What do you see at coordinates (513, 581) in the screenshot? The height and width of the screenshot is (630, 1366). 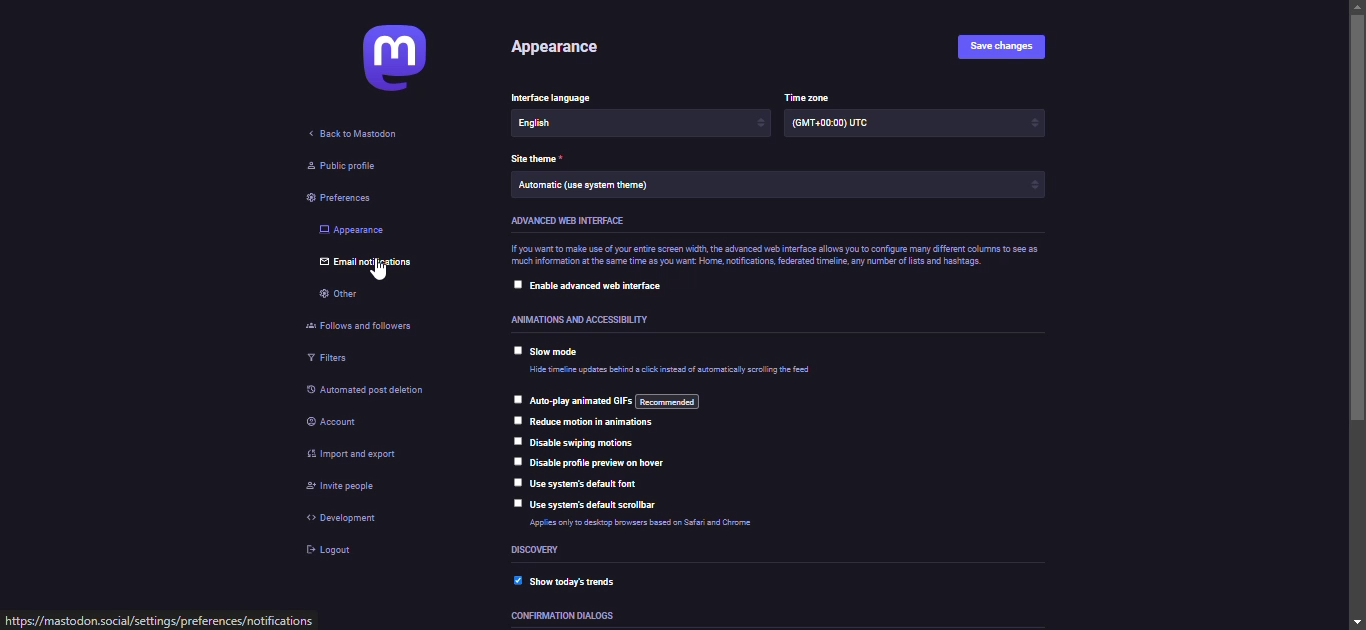 I see `enabled` at bounding box center [513, 581].